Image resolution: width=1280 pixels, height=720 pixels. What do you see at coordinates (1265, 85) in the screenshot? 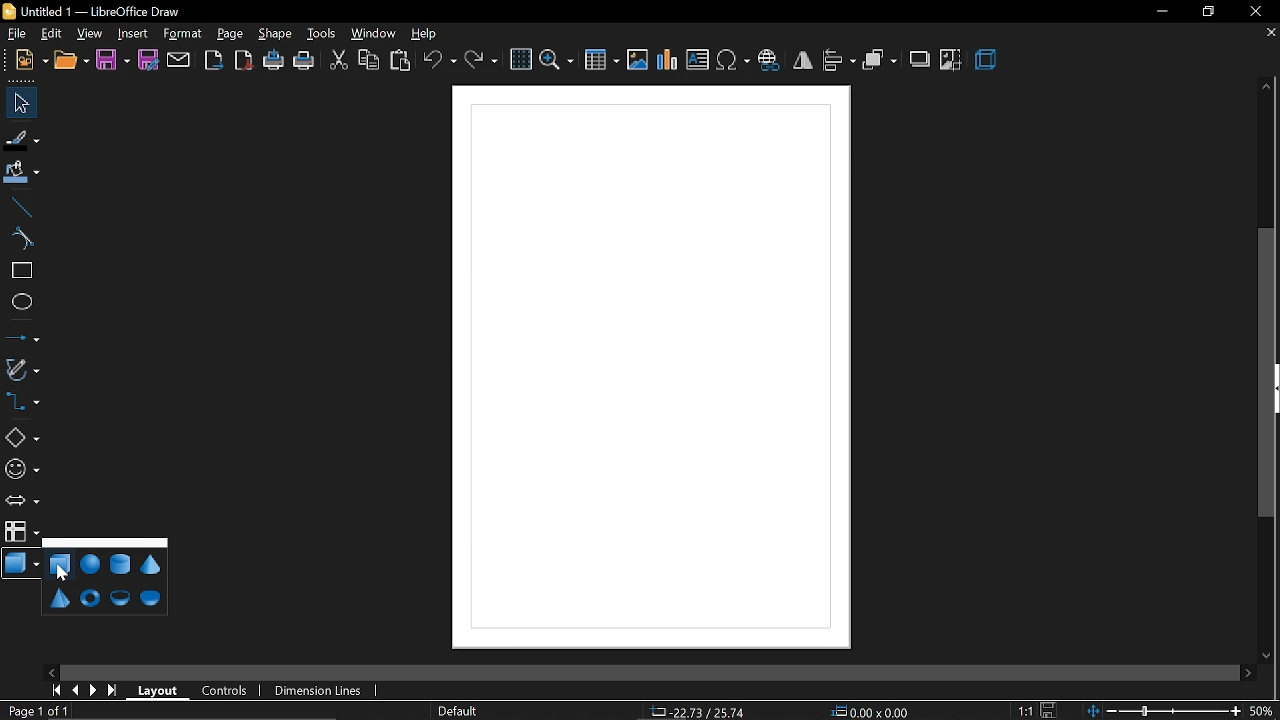
I see `move up` at bounding box center [1265, 85].